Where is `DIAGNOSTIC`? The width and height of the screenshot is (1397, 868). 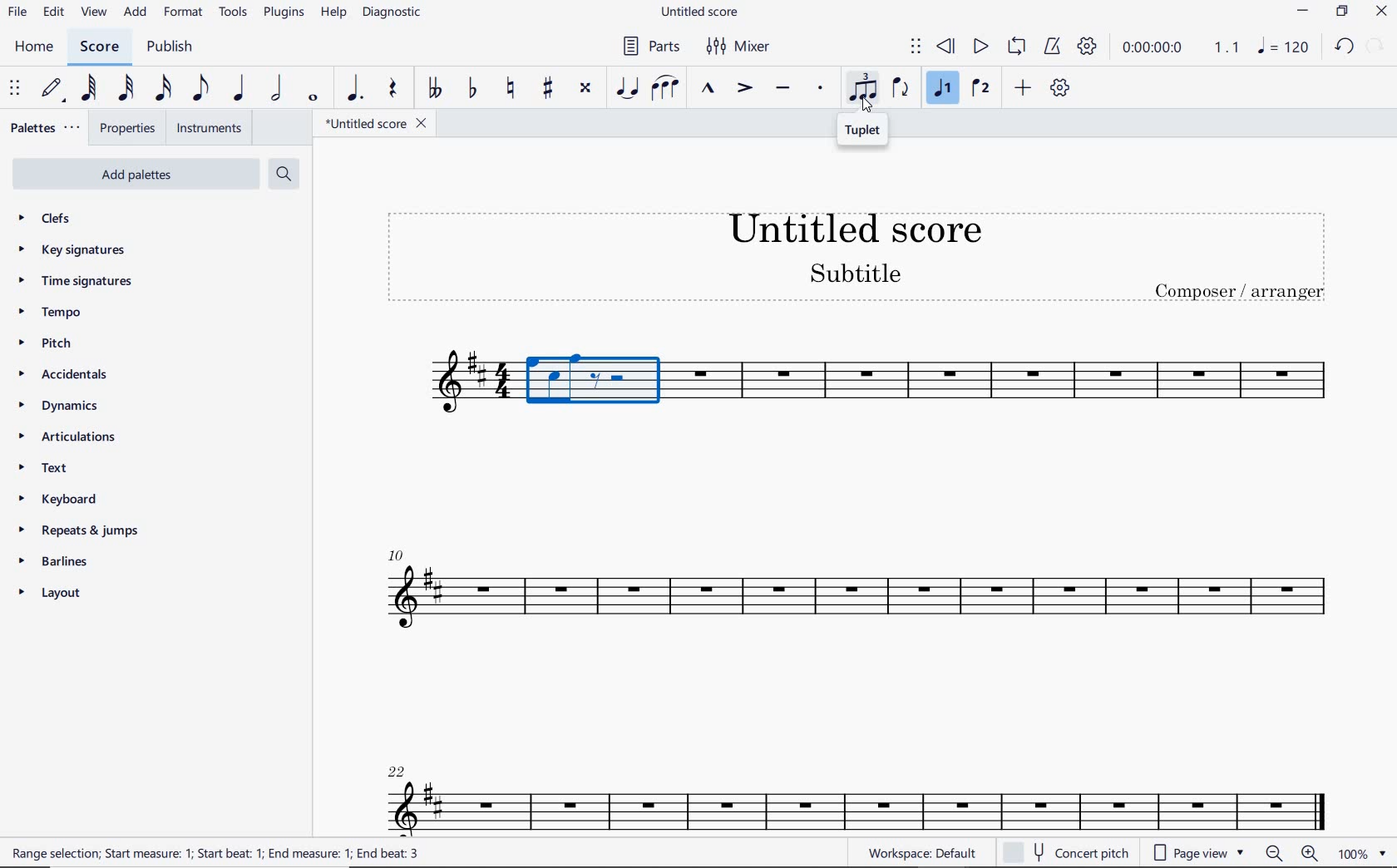 DIAGNOSTIC is located at coordinates (394, 14).